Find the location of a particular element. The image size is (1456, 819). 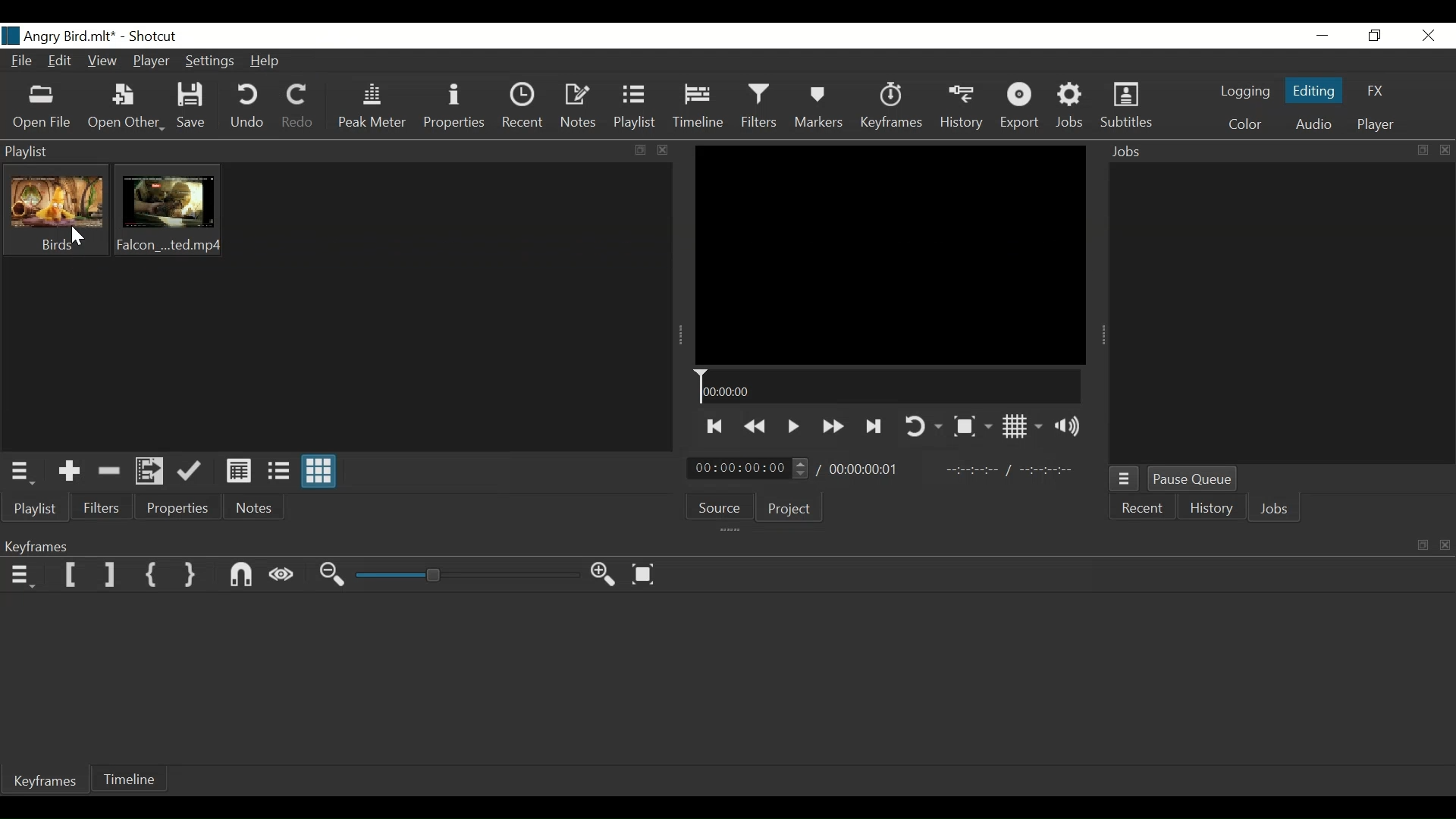

Recent is located at coordinates (524, 106).